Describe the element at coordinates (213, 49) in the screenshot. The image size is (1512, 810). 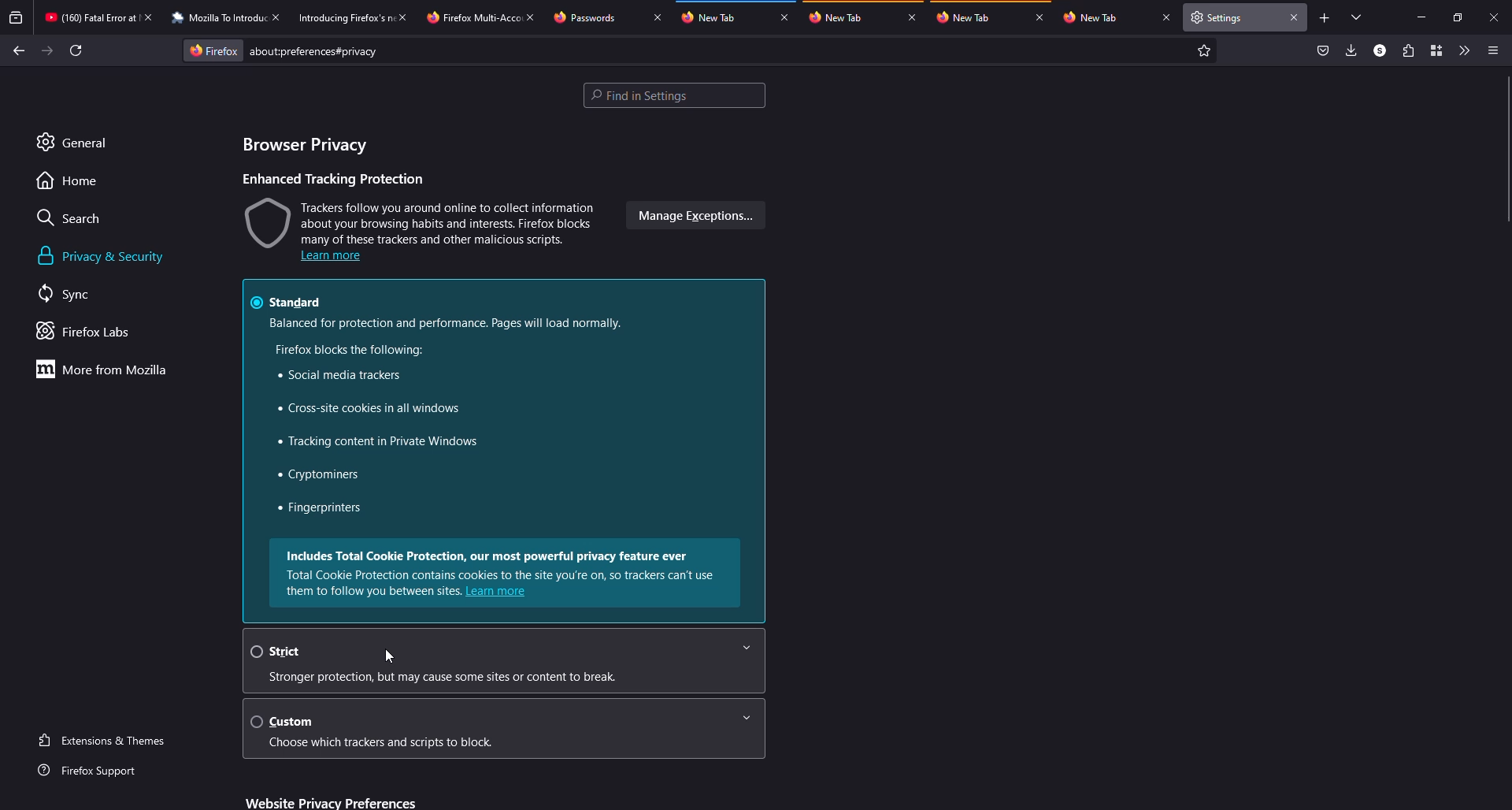
I see `firefox` at that location.